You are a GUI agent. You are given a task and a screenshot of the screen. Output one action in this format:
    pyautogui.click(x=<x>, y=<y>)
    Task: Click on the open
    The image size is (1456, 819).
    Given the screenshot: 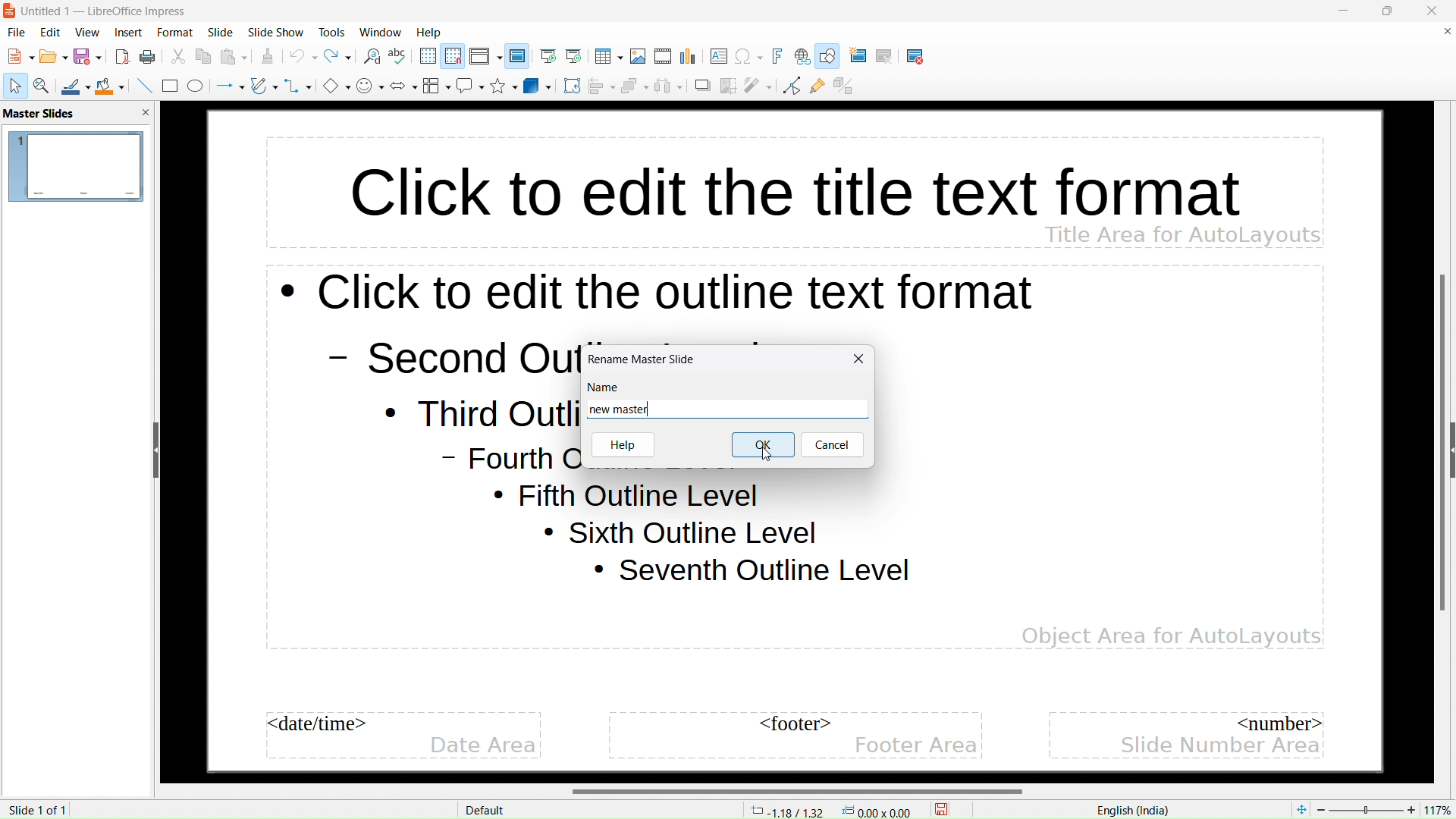 What is the action you would take?
    pyautogui.click(x=54, y=56)
    